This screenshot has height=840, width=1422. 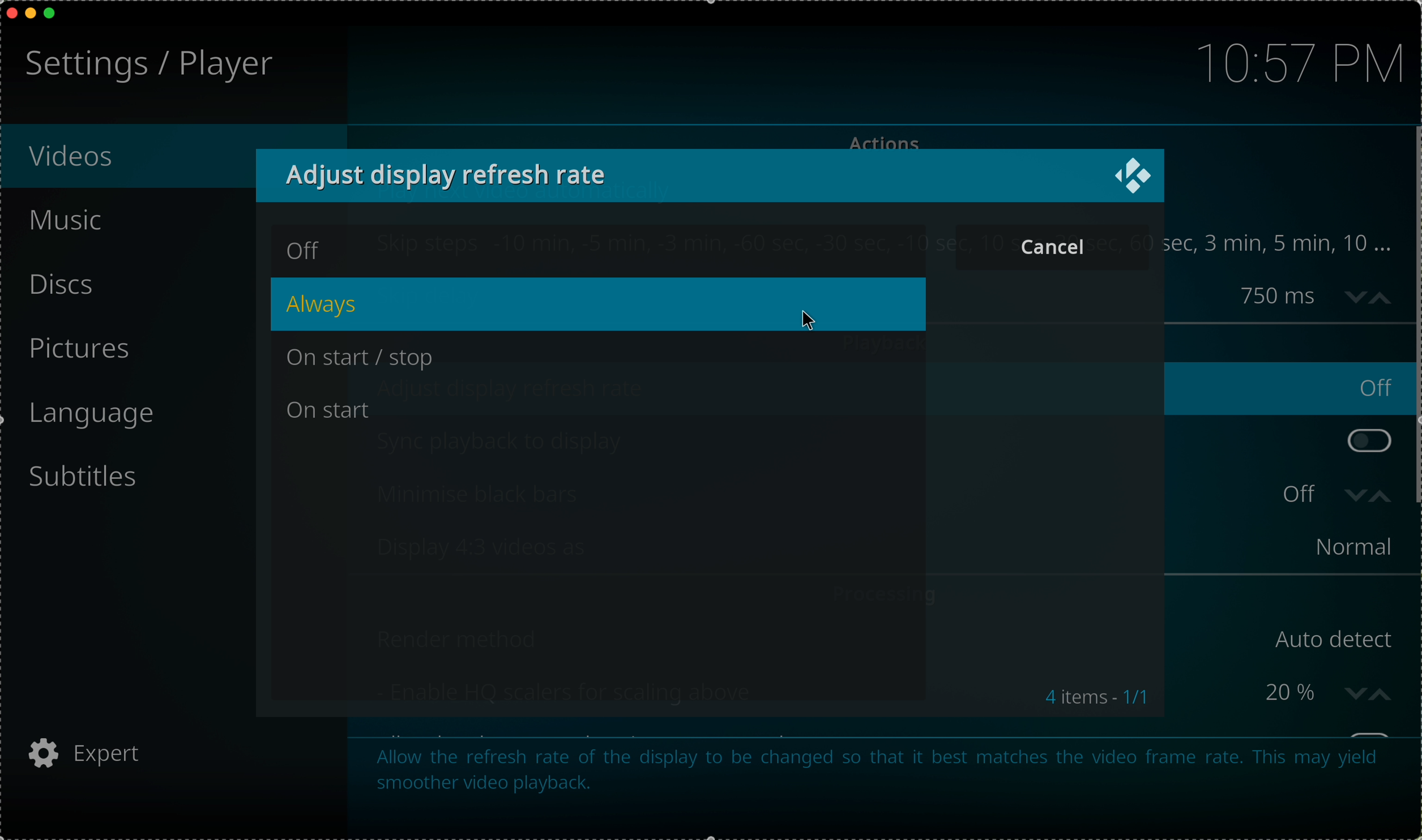 I want to click on adjust display refresh rate, so click(x=449, y=173).